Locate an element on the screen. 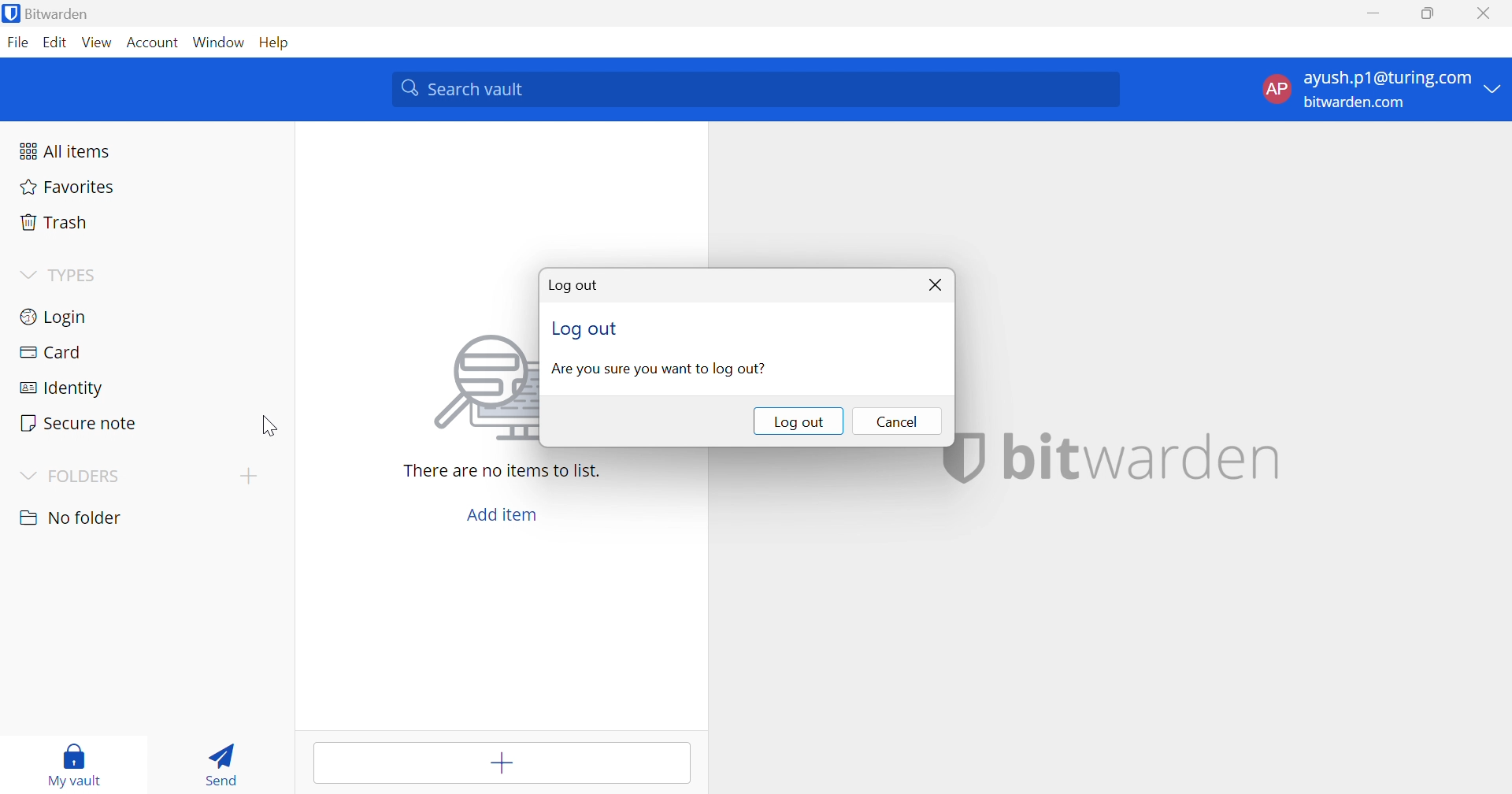 This screenshot has height=794, width=1512. All items is located at coordinates (65, 150).